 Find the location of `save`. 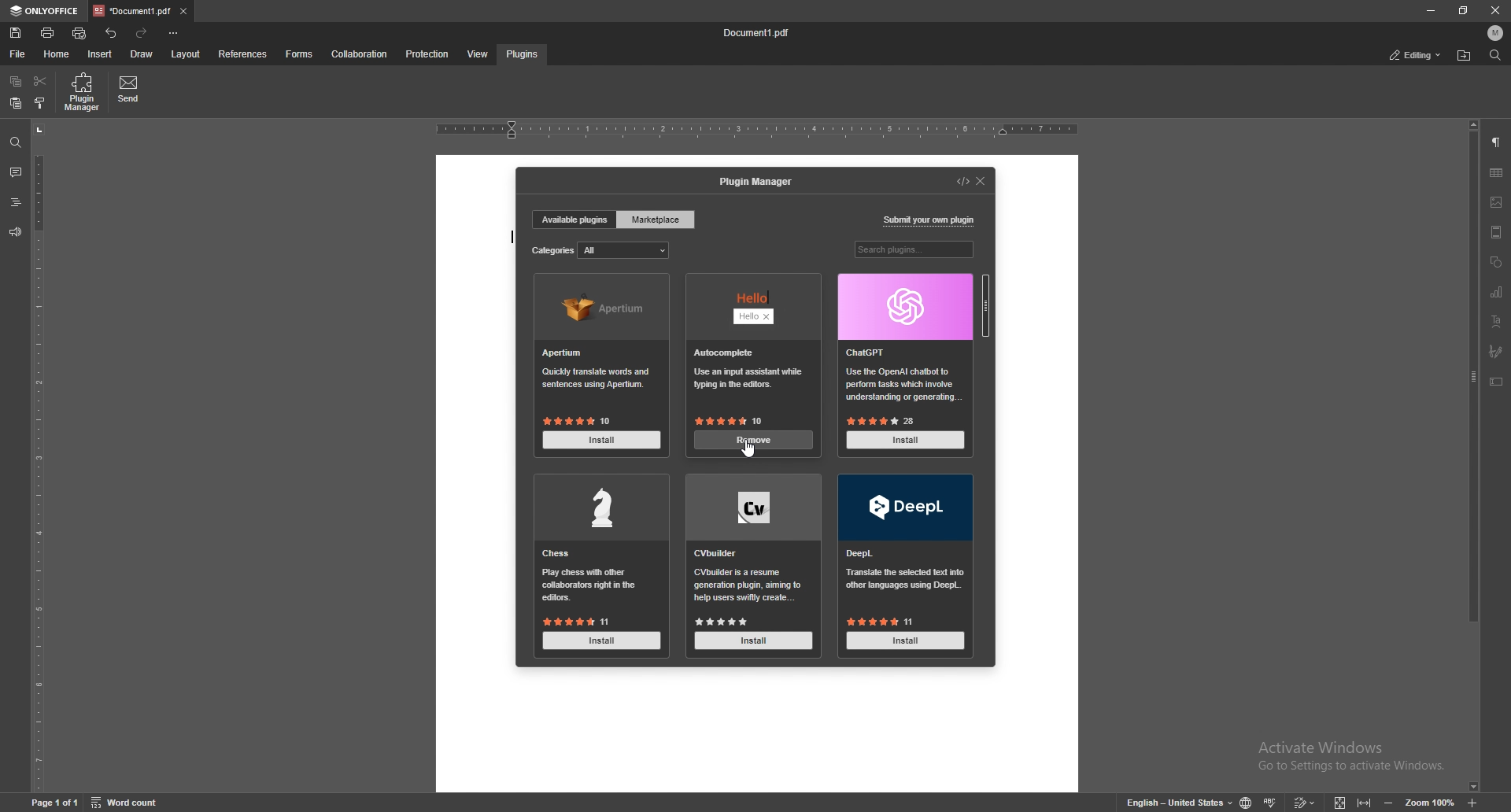

save is located at coordinates (16, 33).